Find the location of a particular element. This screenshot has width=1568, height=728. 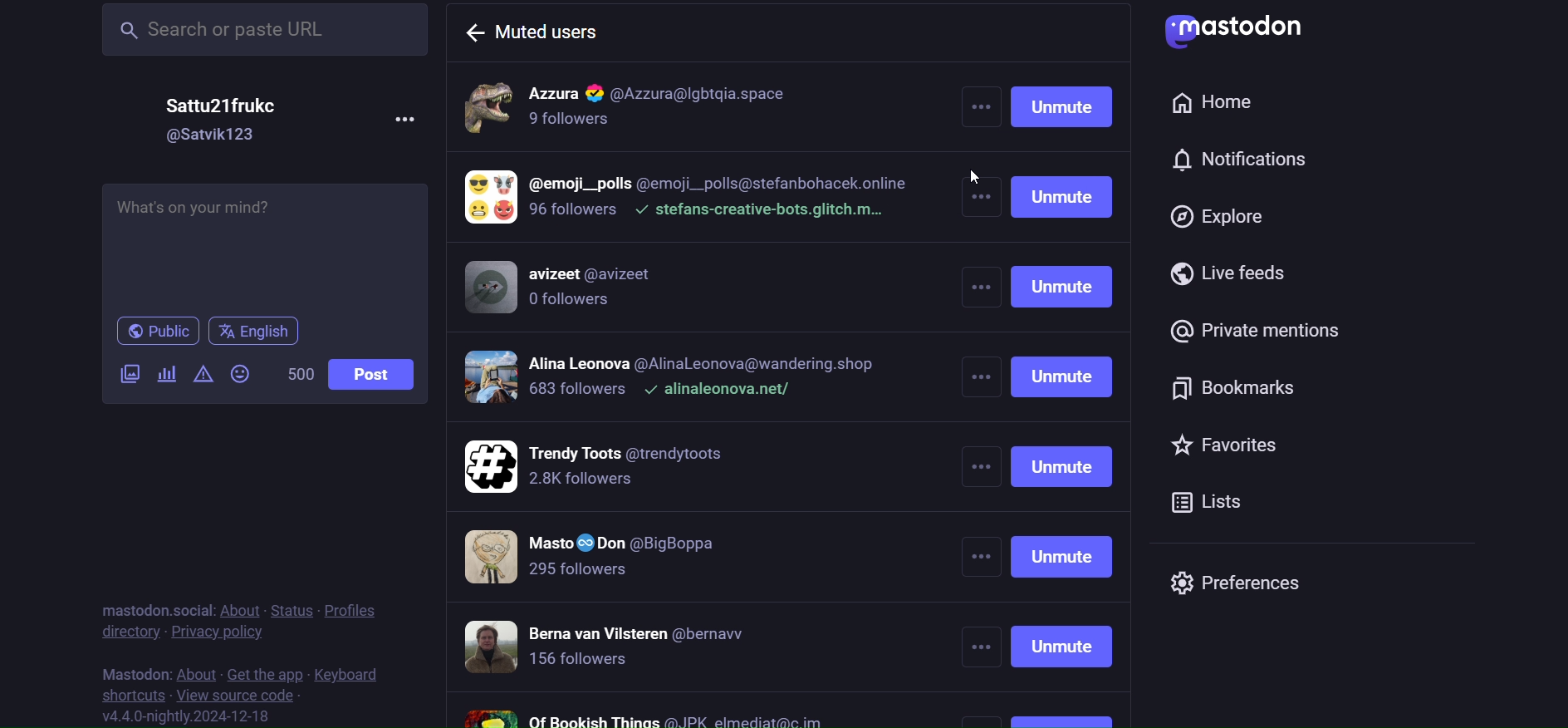

directory is located at coordinates (125, 631).